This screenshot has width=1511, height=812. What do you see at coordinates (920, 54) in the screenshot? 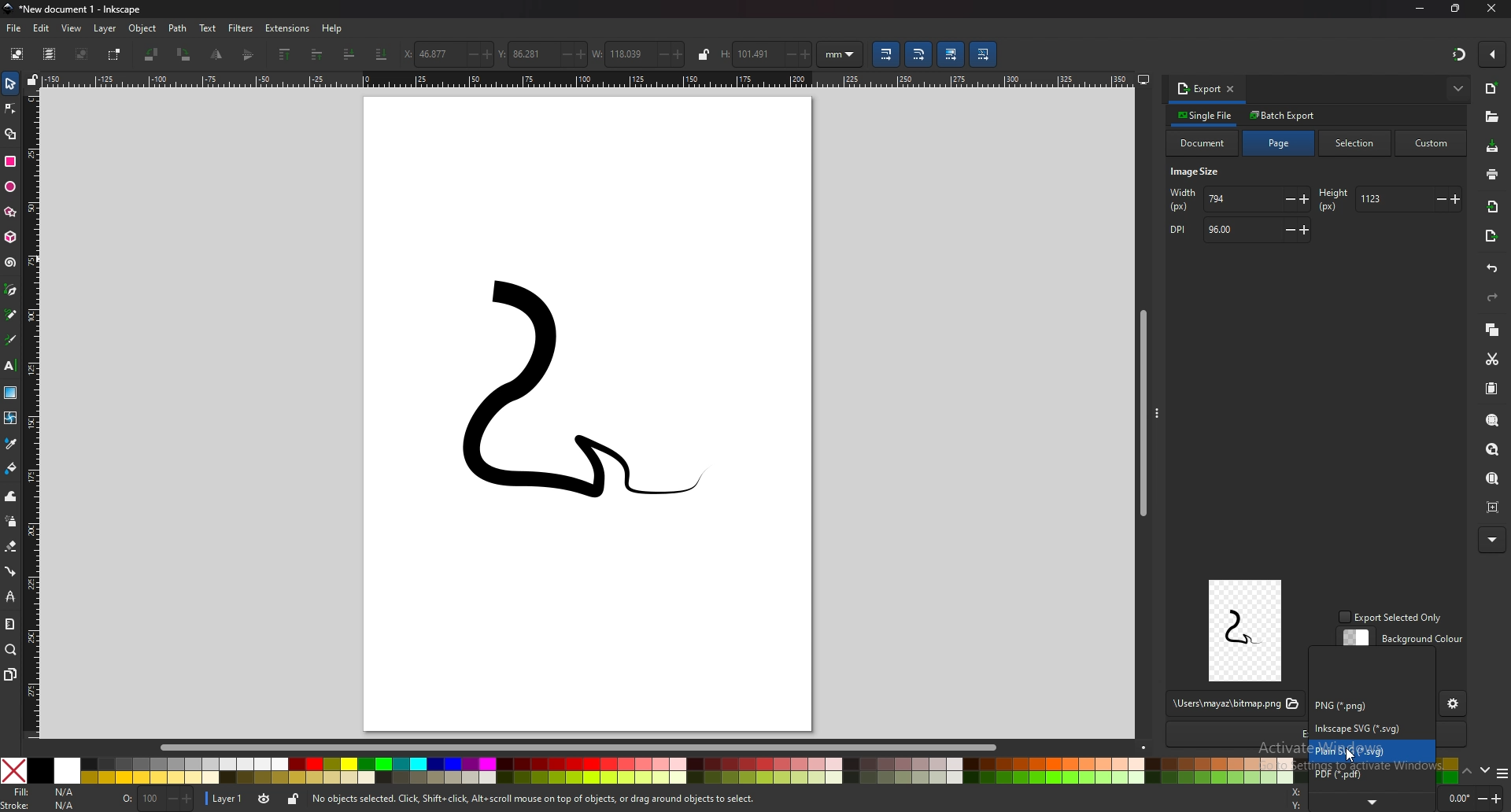
I see `scale radii` at bounding box center [920, 54].